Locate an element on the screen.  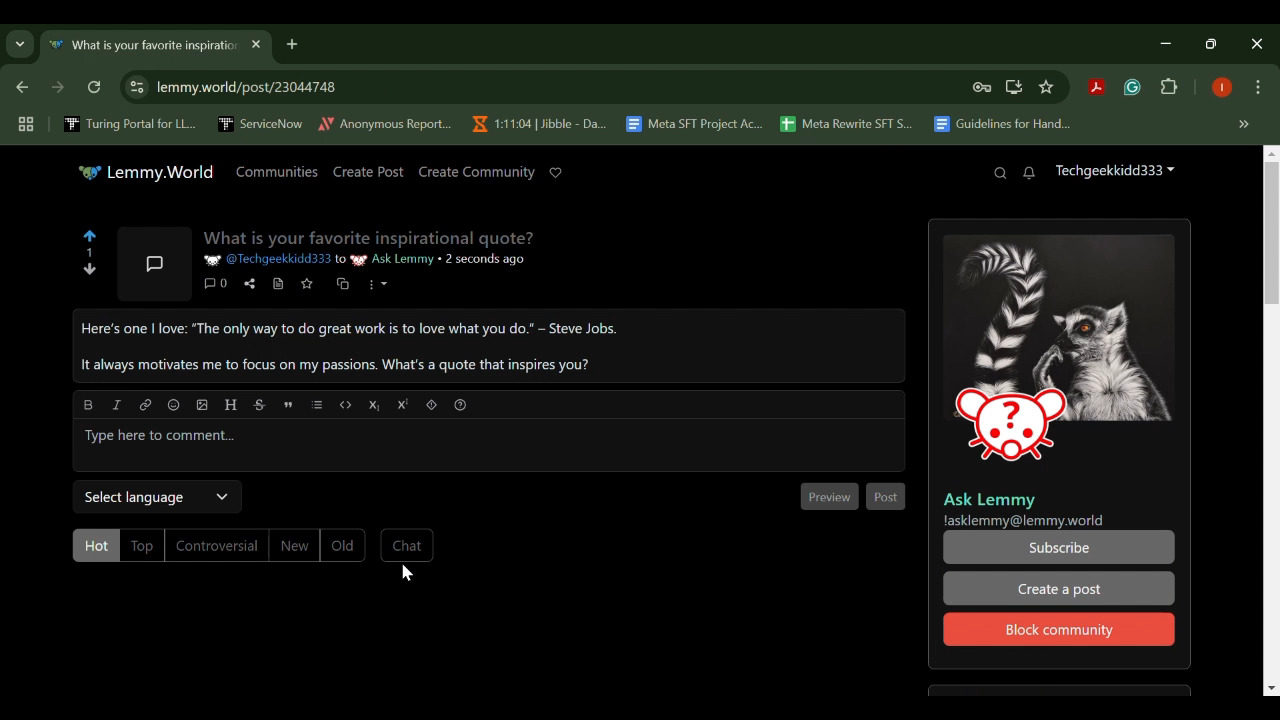
Save is located at coordinates (307, 285).